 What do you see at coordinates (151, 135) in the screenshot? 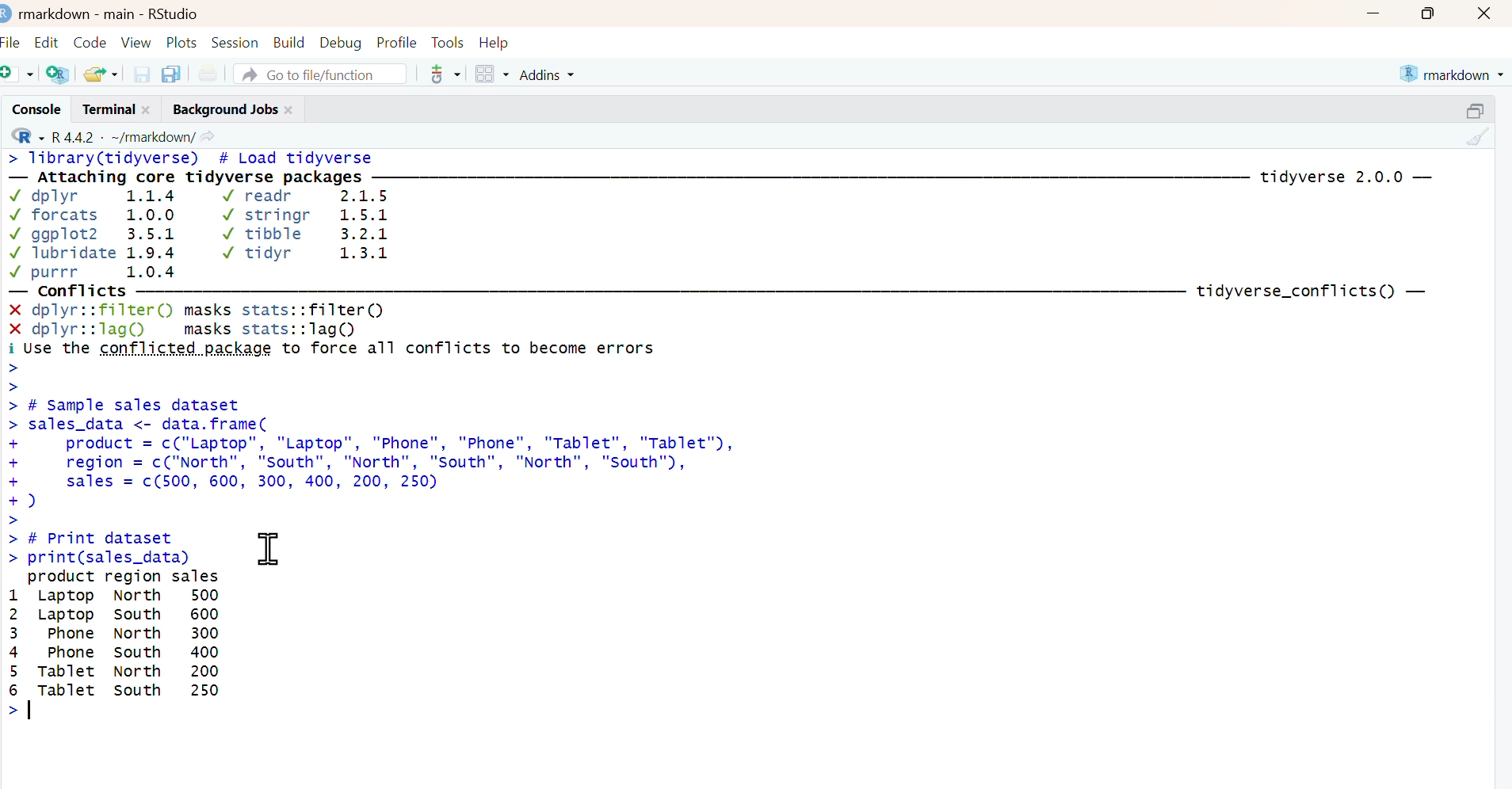
I see `~/markdown` at bounding box center [151, 135].